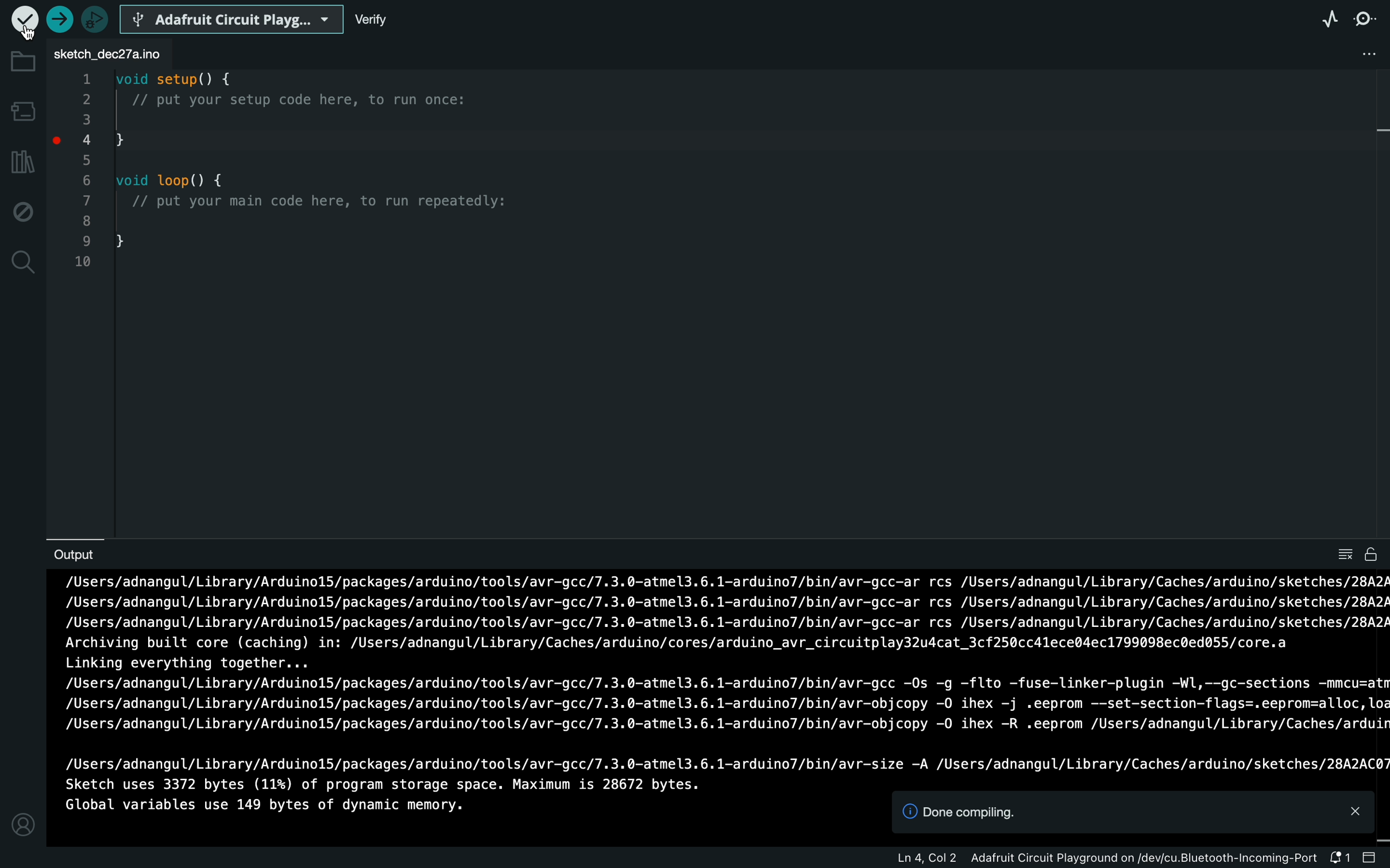  I want to click on notification, so click(1134, 813).